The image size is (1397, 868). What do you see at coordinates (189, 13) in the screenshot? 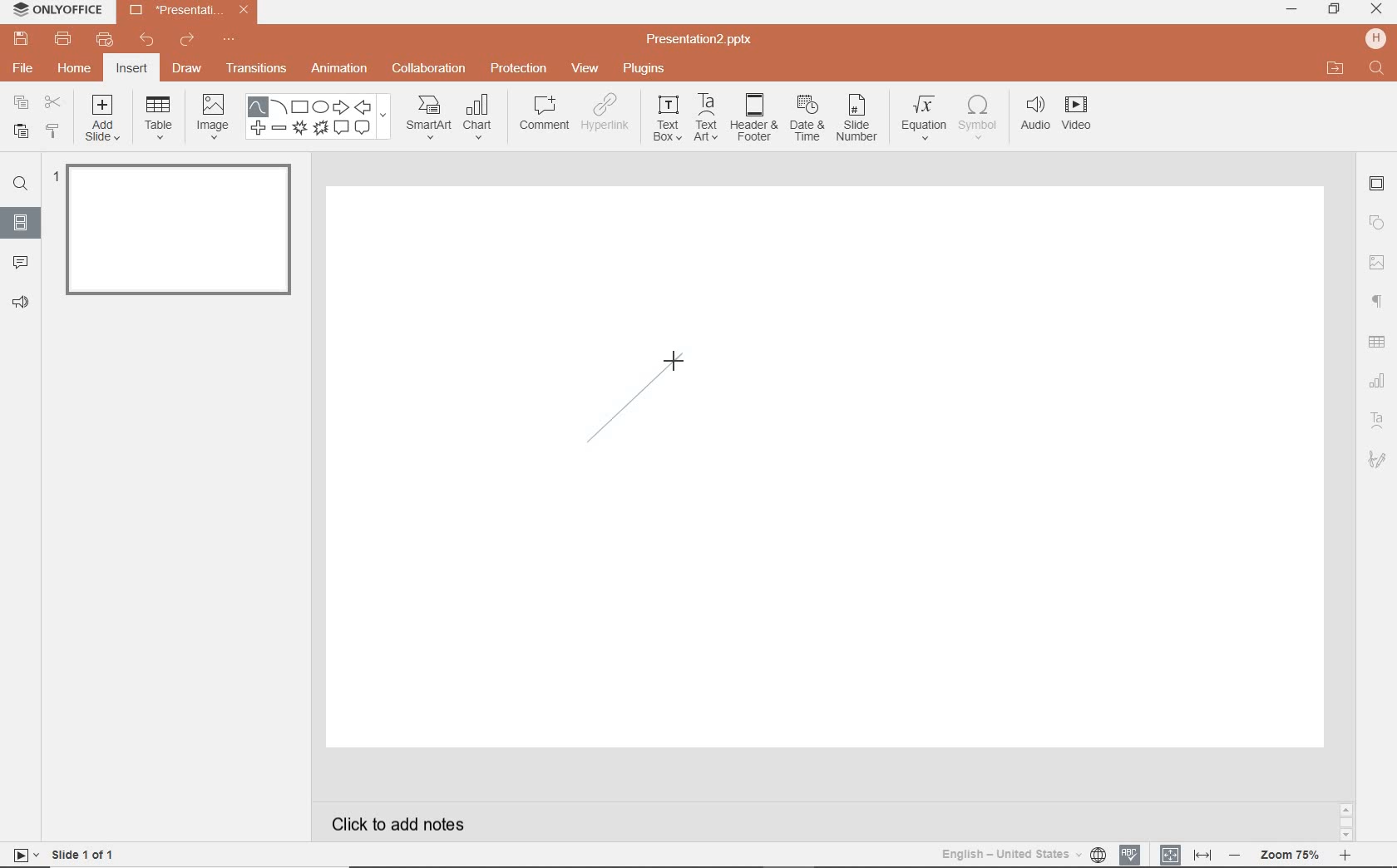
I see `Presentation2.pptx` at bounding box center [189, 13].